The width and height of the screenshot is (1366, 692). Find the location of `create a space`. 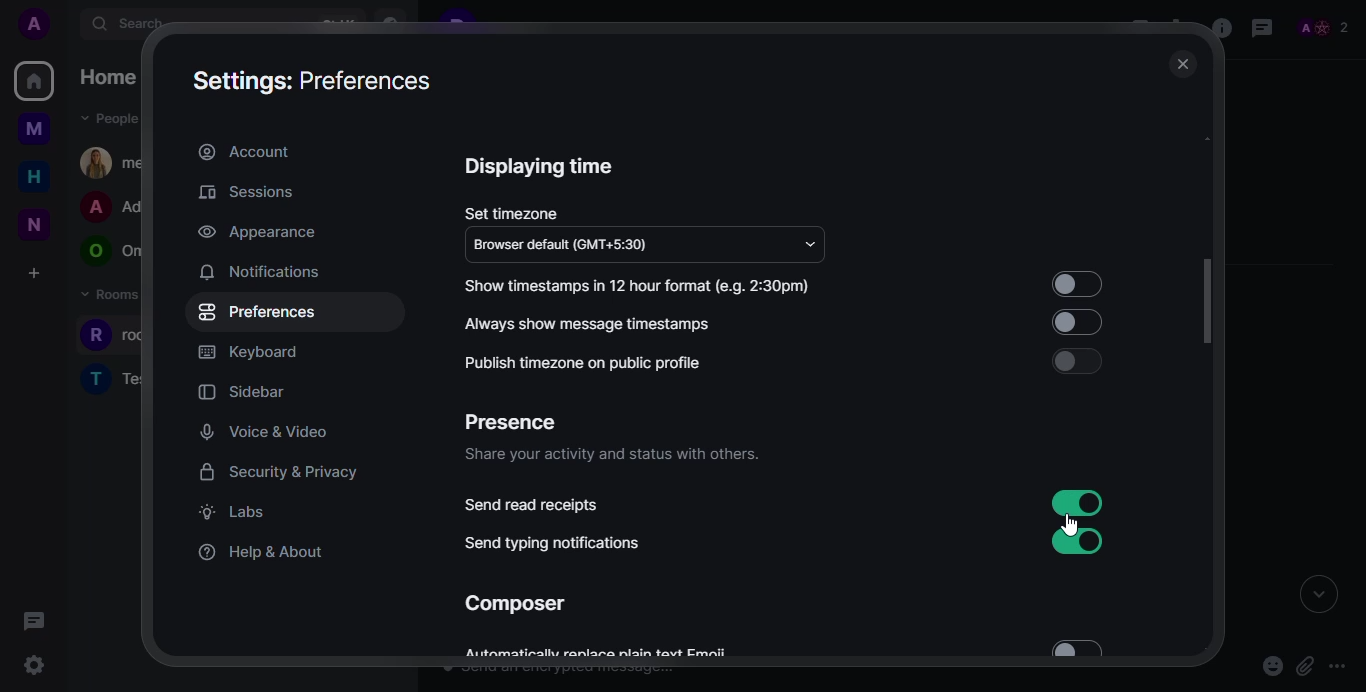

create a space is located at coordinates (33, 272).